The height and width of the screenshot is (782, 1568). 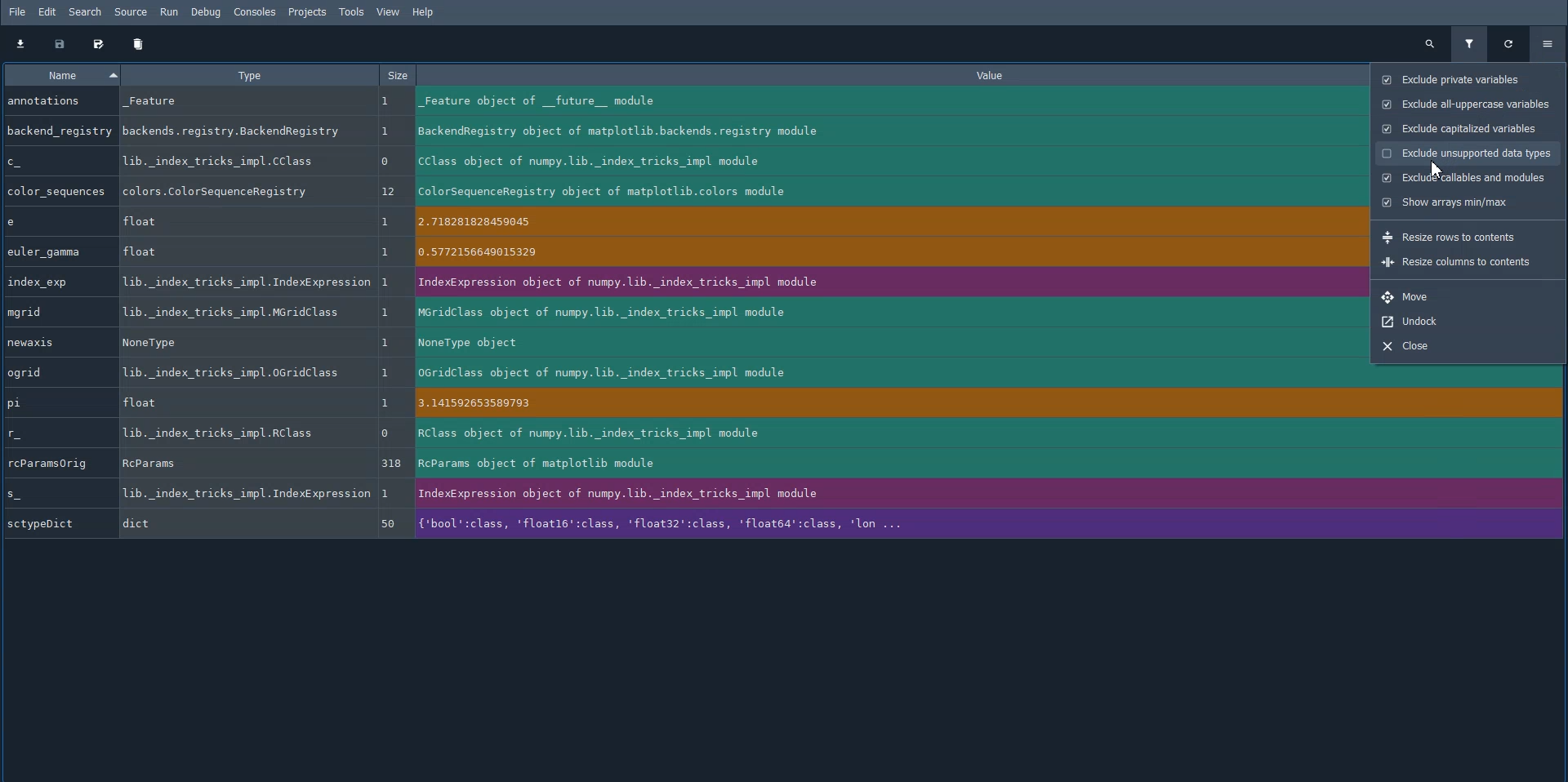 I want to click on C, so click(x=59, y=162).